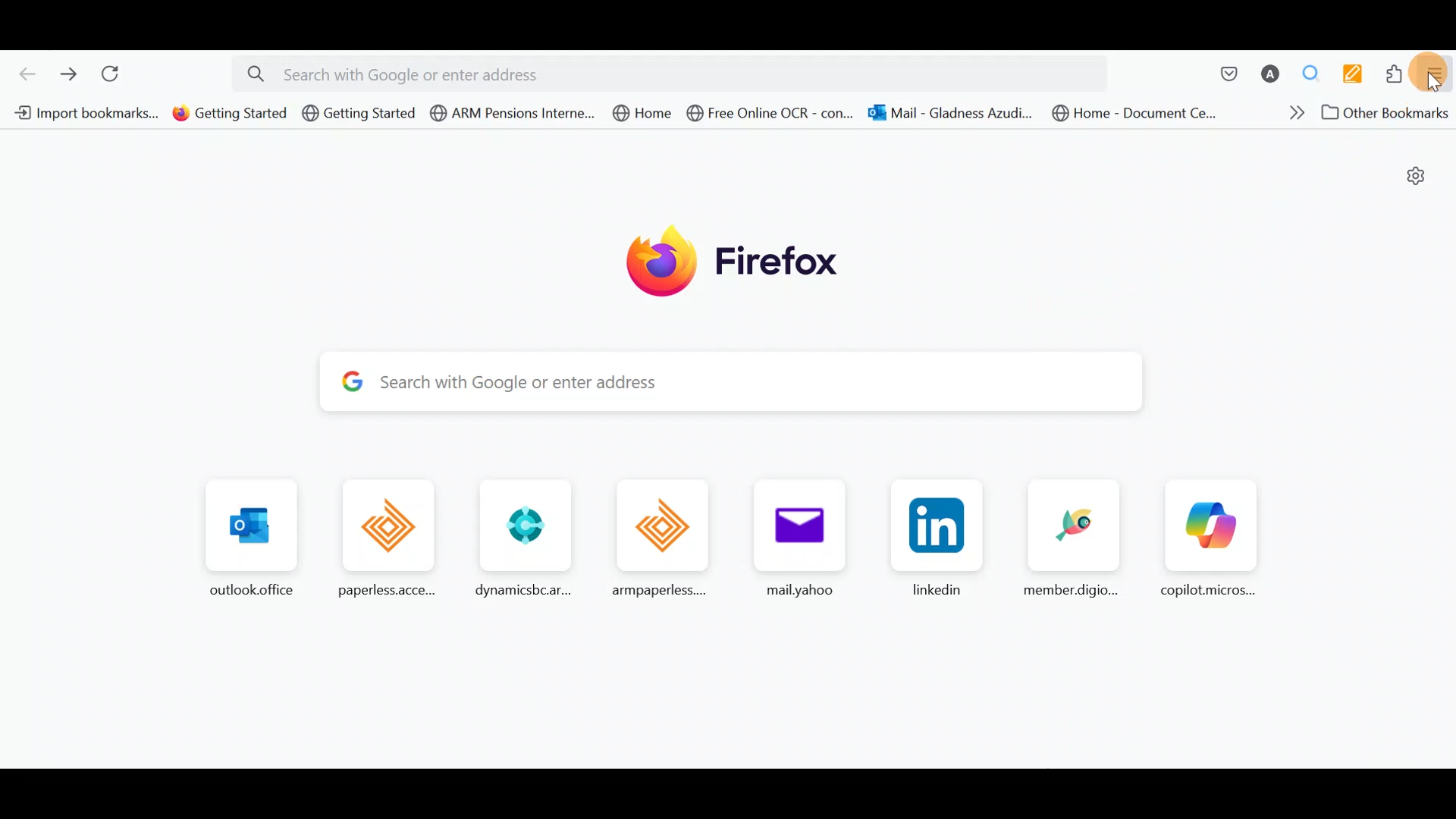 The height and width of the screenshot is (819, 1456). I want to click on firefox, so click(742, 256).